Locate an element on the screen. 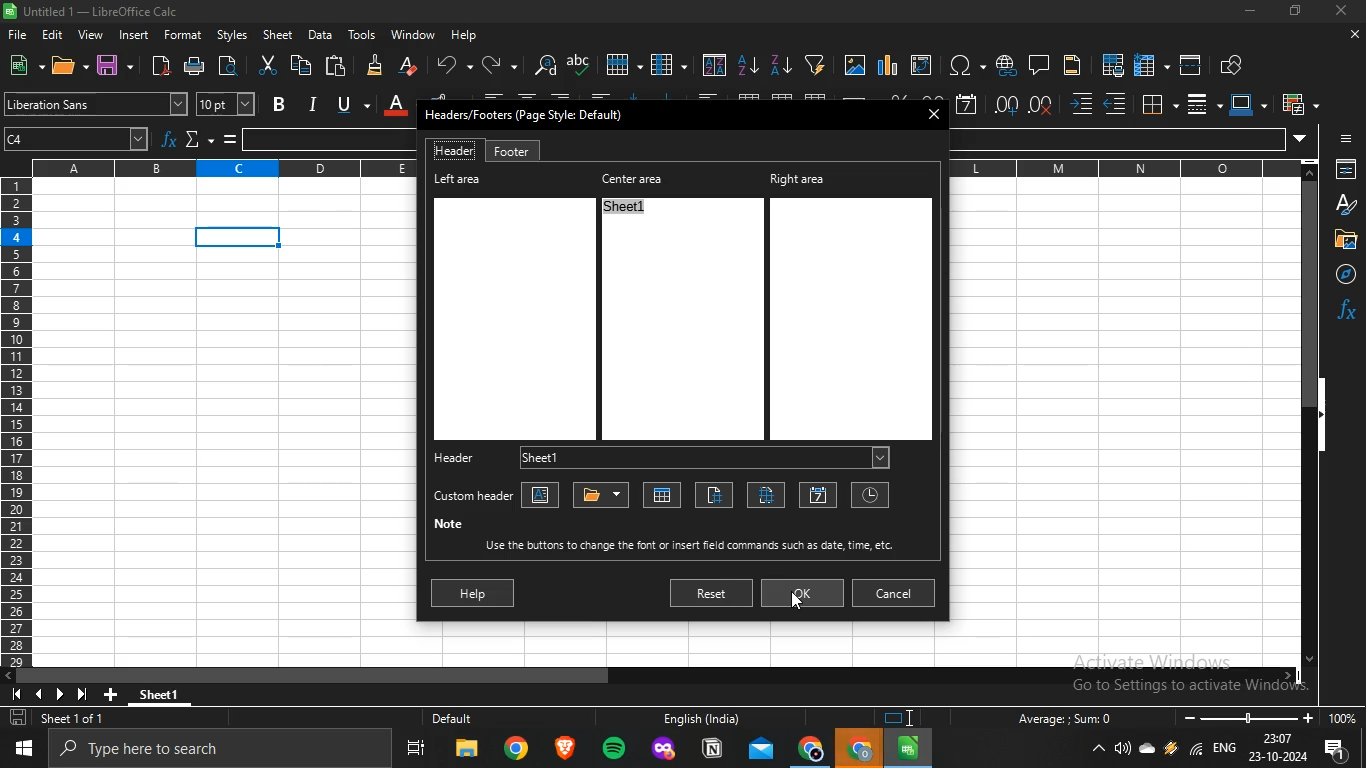 This screenshot has height=768, width=1366. help is located at coordinates (467, 36).